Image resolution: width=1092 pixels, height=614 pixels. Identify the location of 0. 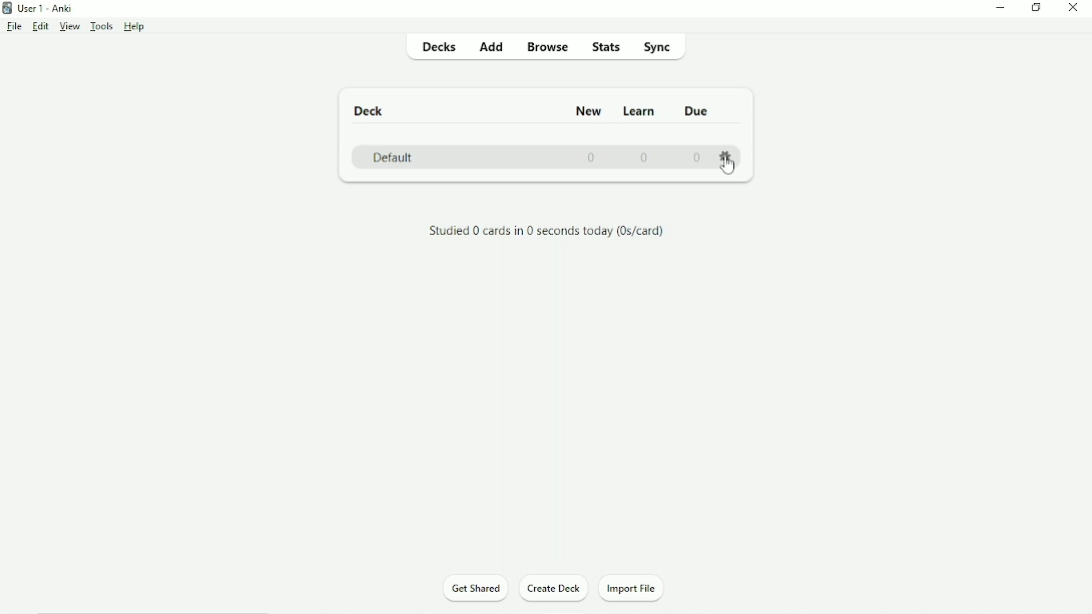
(696, 157).